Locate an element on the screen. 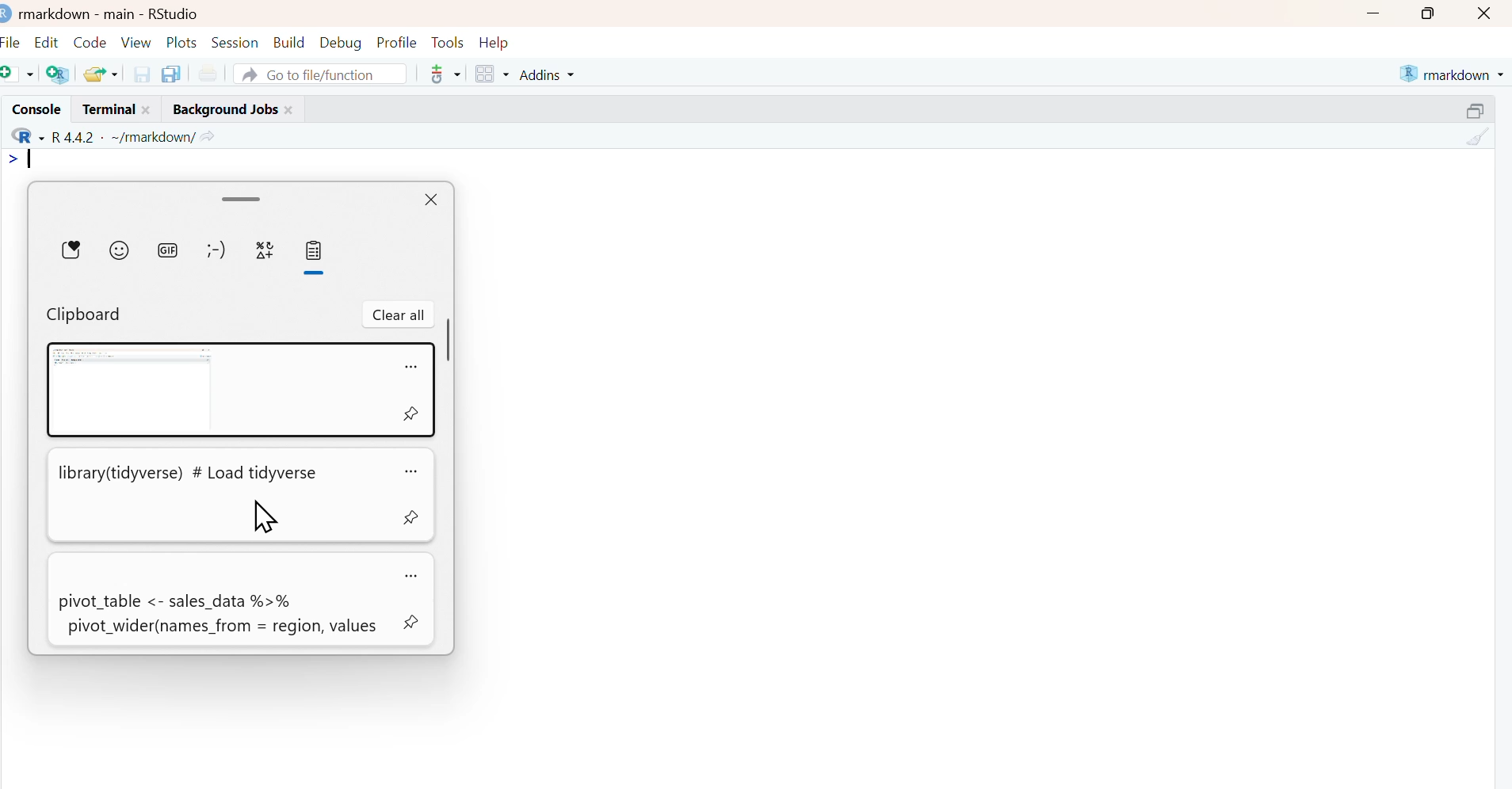 Image resolution: width=1512 pixels, height=789 pixels. markdown is located at coordinates (1454, 72).